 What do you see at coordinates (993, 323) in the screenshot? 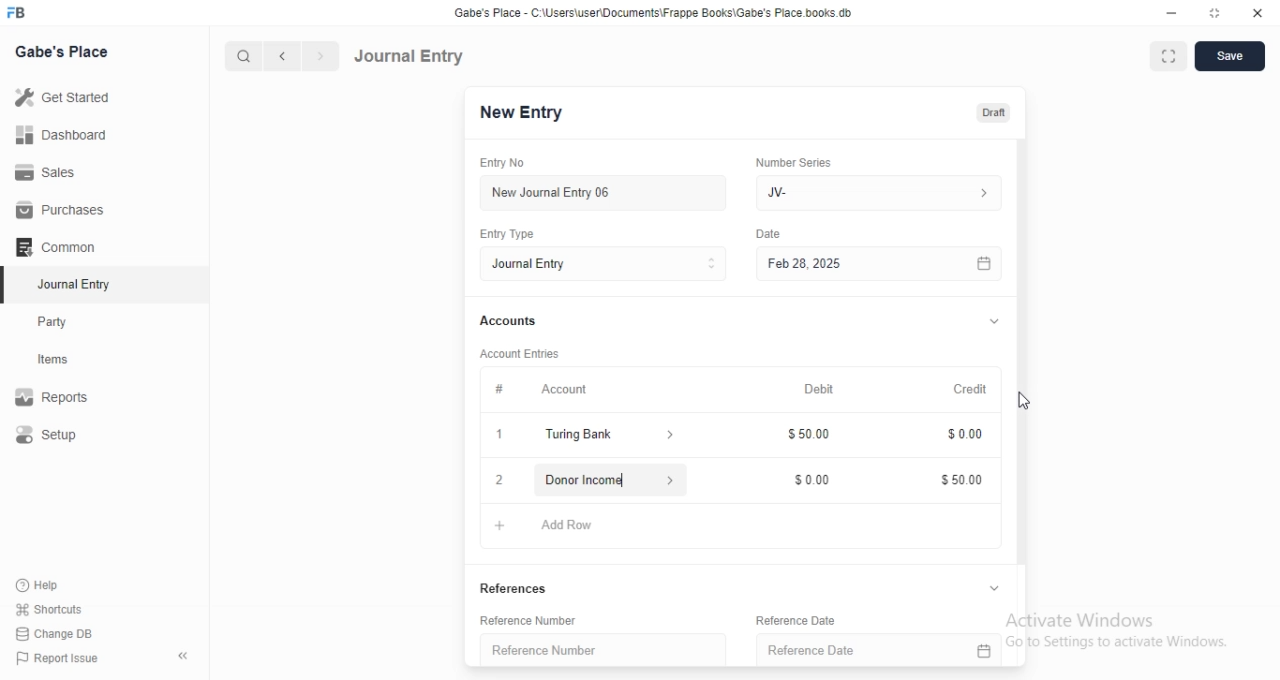
I see `collapse` at bounding box center [993, 323].